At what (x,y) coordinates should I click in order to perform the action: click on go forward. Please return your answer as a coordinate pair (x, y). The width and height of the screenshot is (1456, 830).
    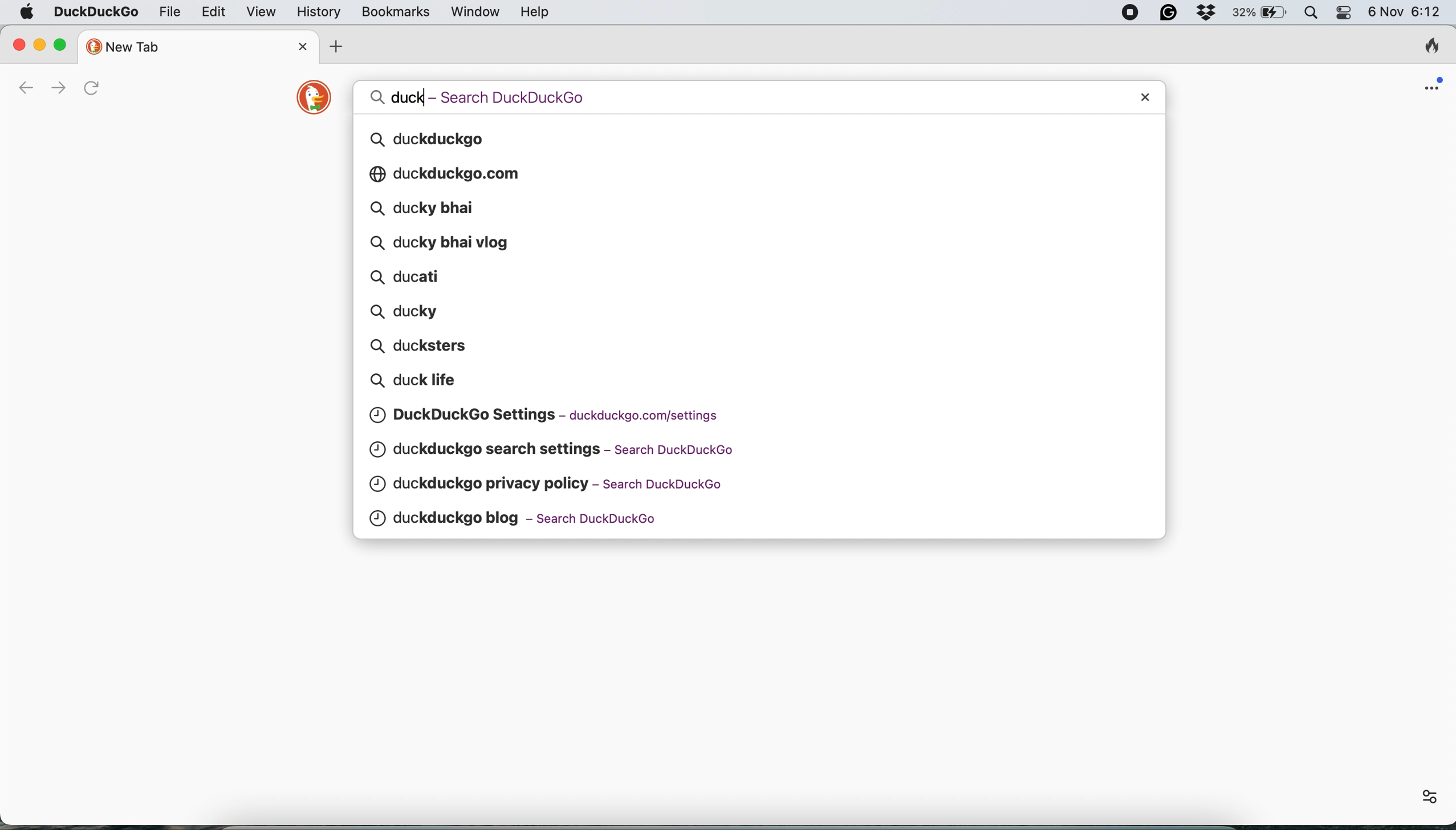
    Looking at the image, I should click on (55, 88).